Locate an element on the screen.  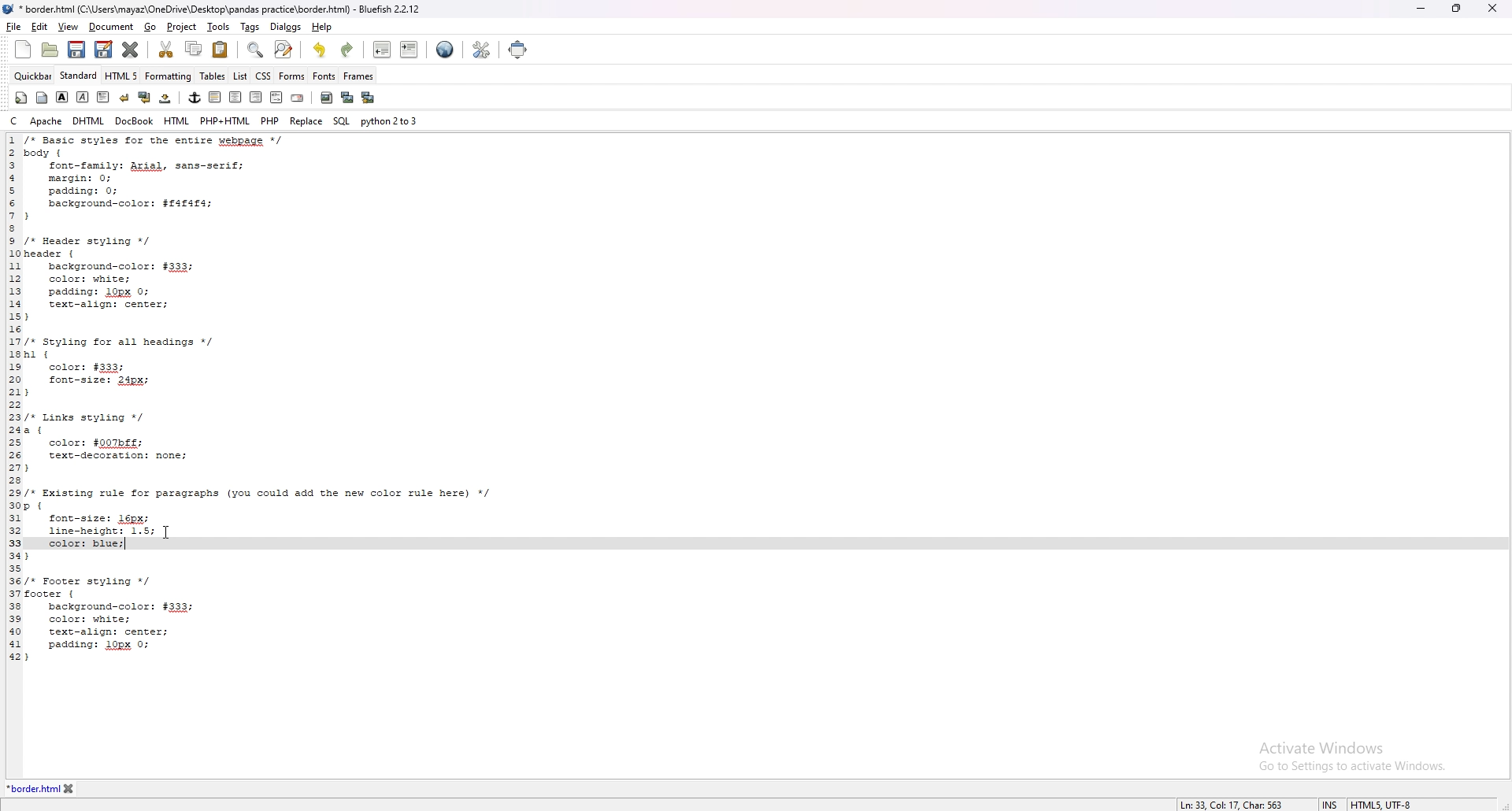
edit preference is located at coordinates (483, 51).